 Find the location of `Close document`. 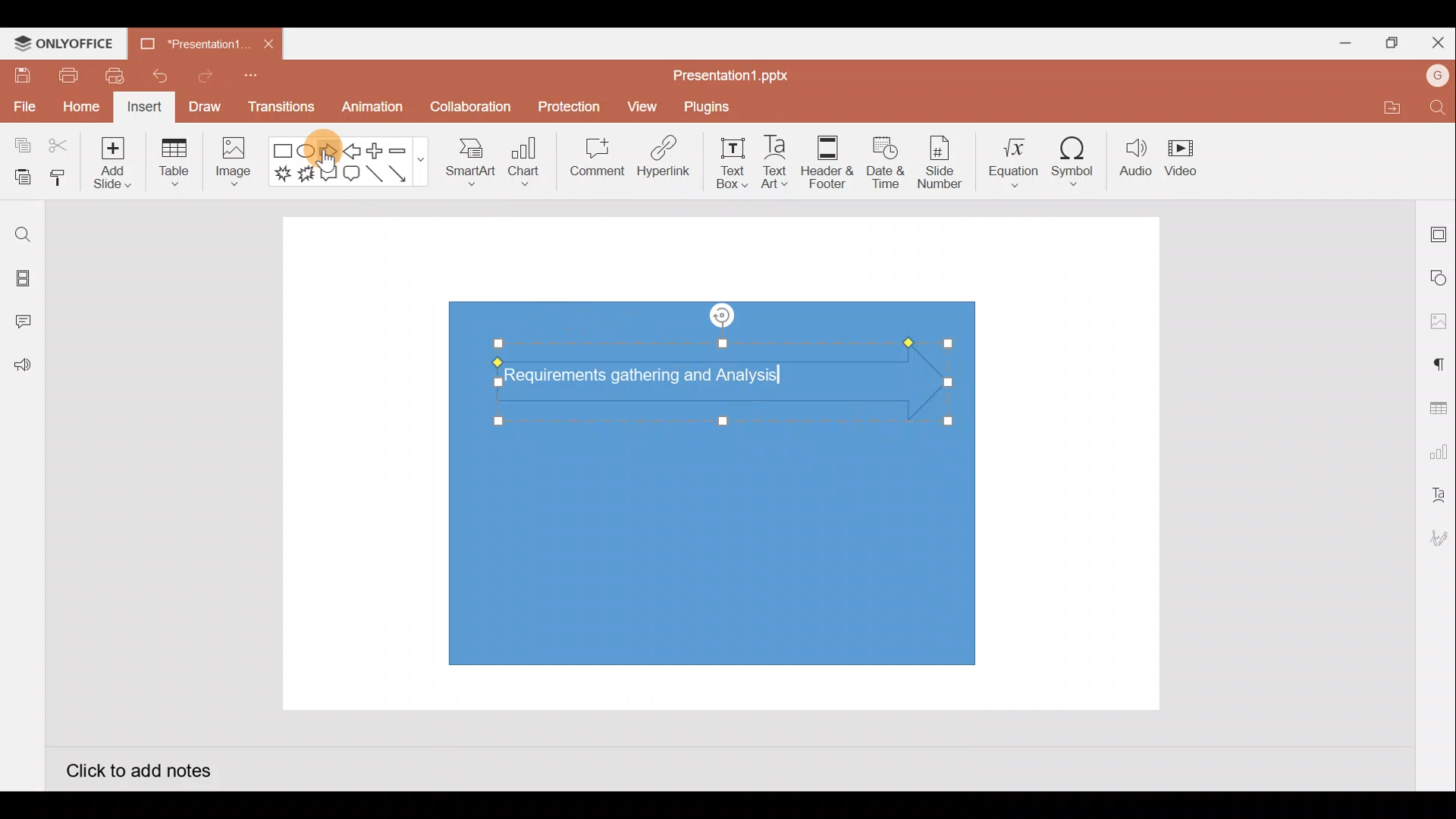

Close document is located at coordinates (268, 40).